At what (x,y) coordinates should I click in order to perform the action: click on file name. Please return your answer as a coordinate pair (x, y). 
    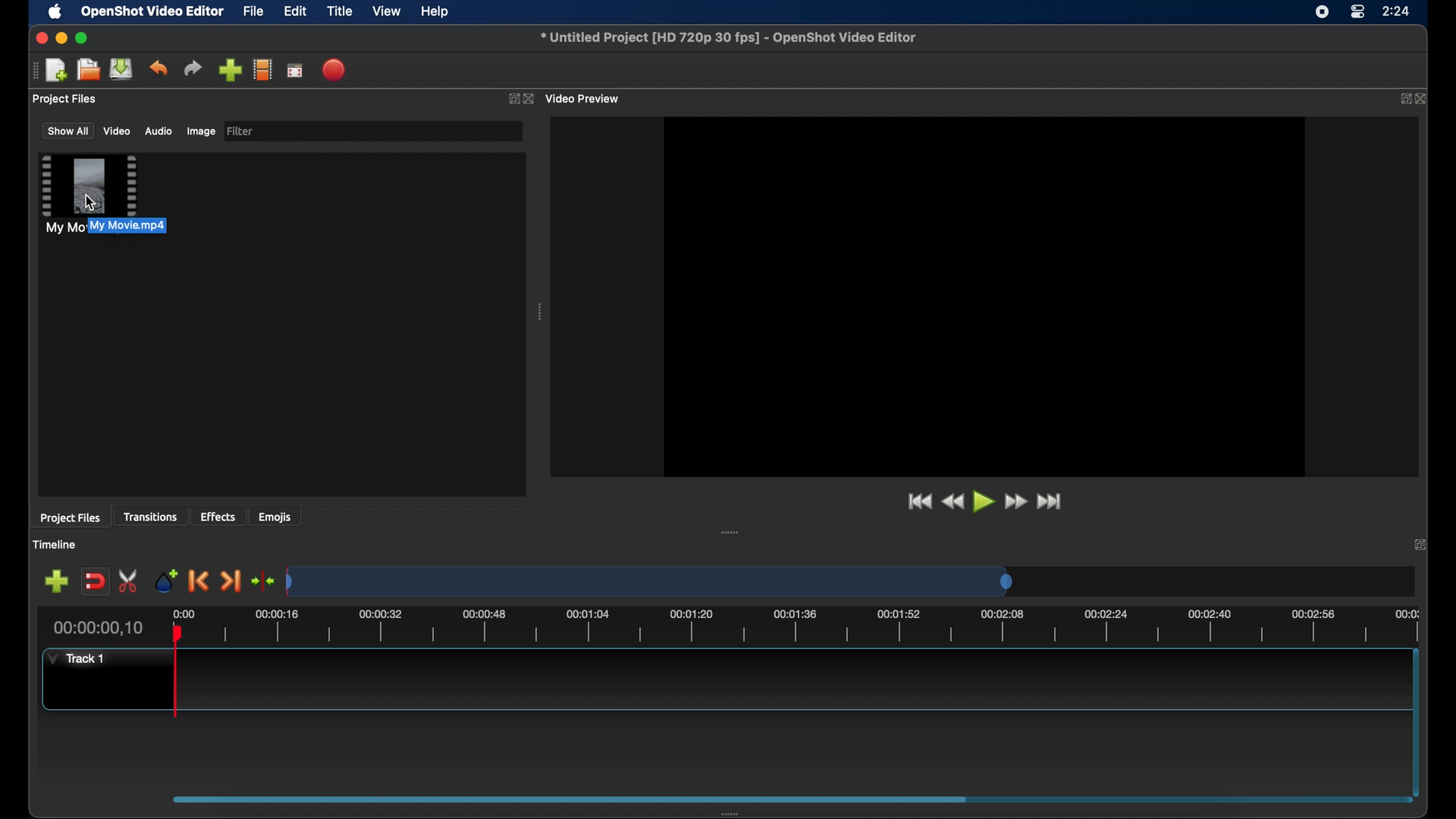
    Looking at the image, I should click on (728, 38).